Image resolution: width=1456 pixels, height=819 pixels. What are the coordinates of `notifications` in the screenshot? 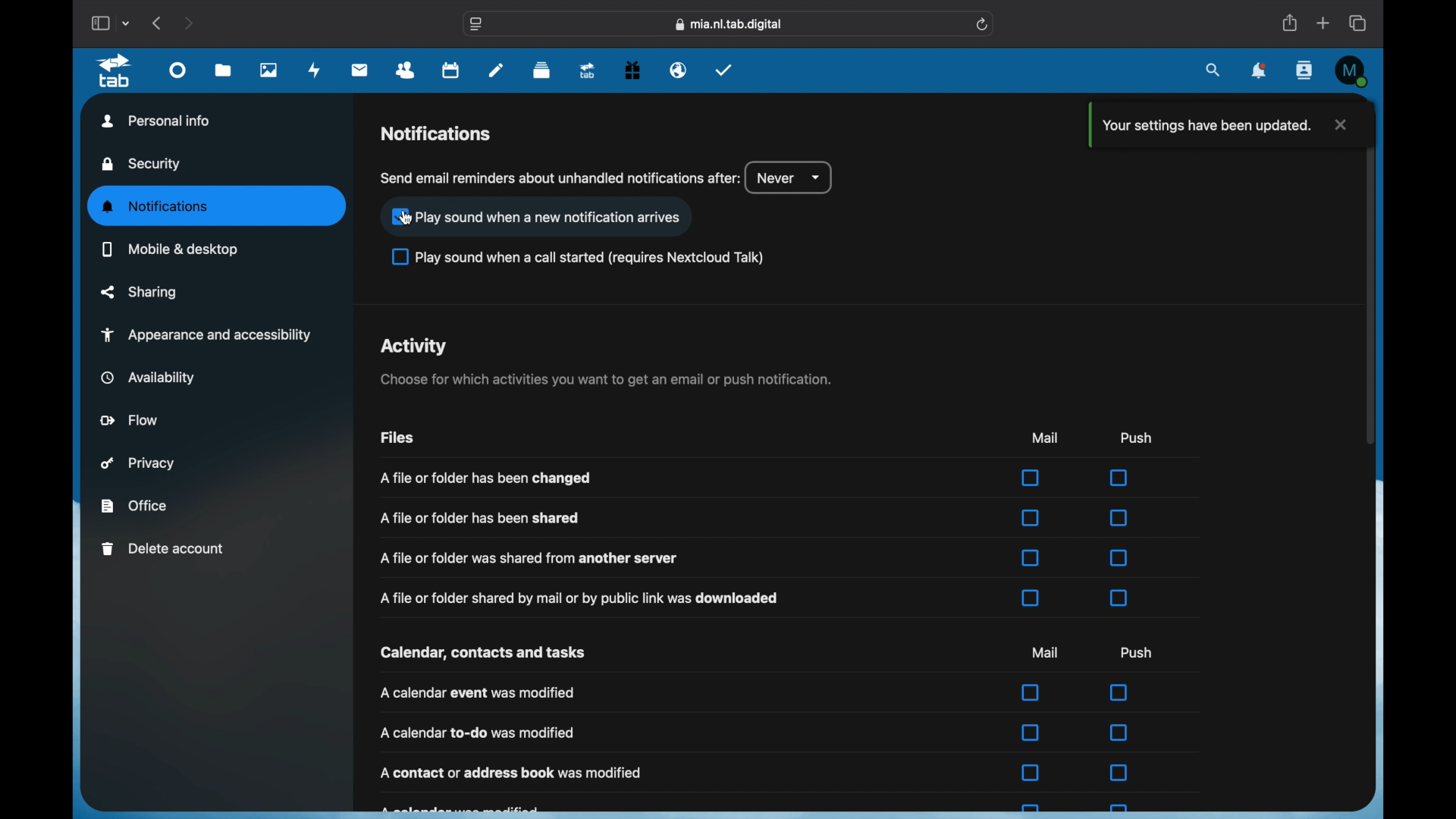 It's located at (1260, 72).